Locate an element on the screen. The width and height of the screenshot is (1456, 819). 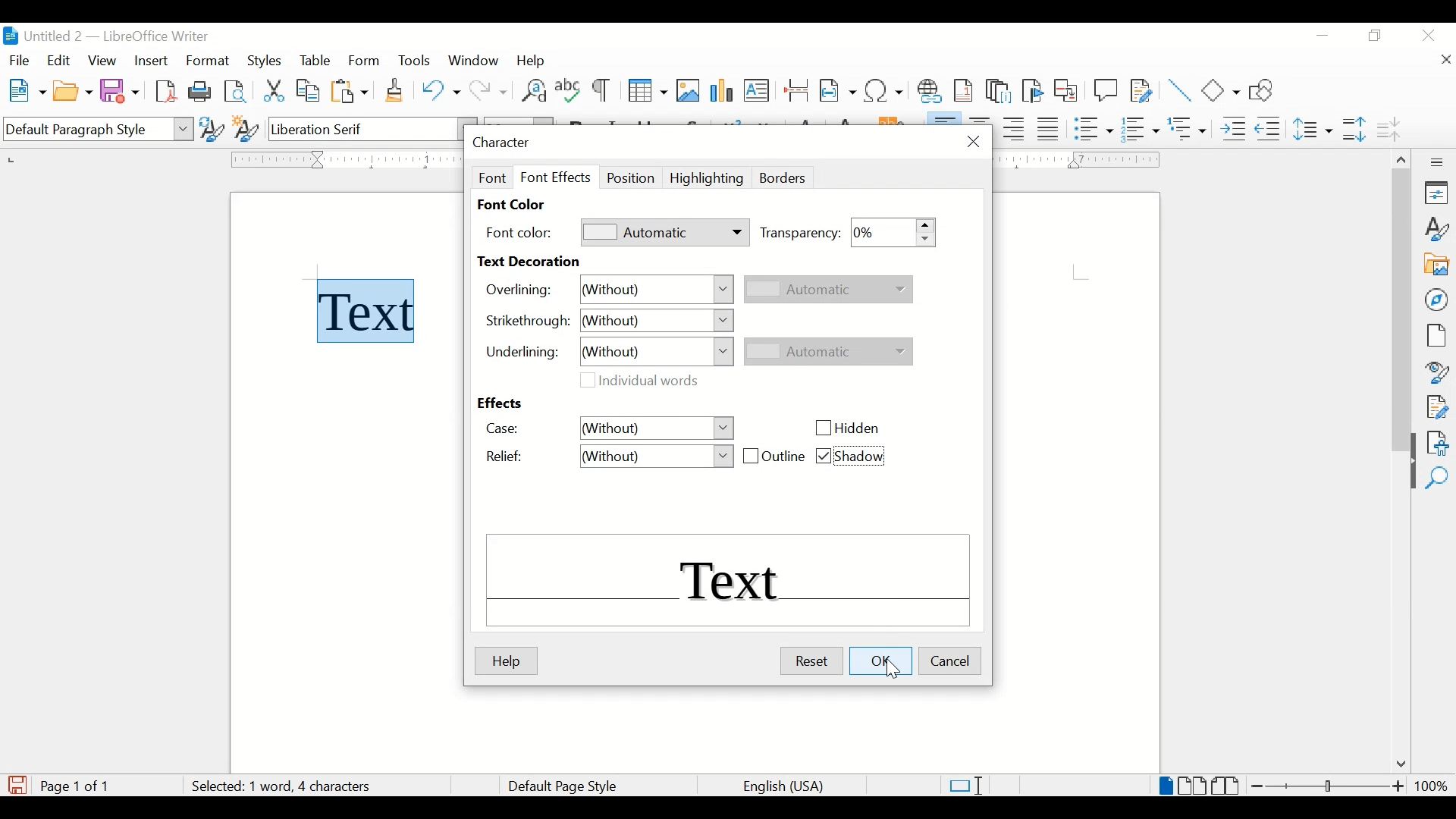
new comment is located at coordinates (1106, 90).